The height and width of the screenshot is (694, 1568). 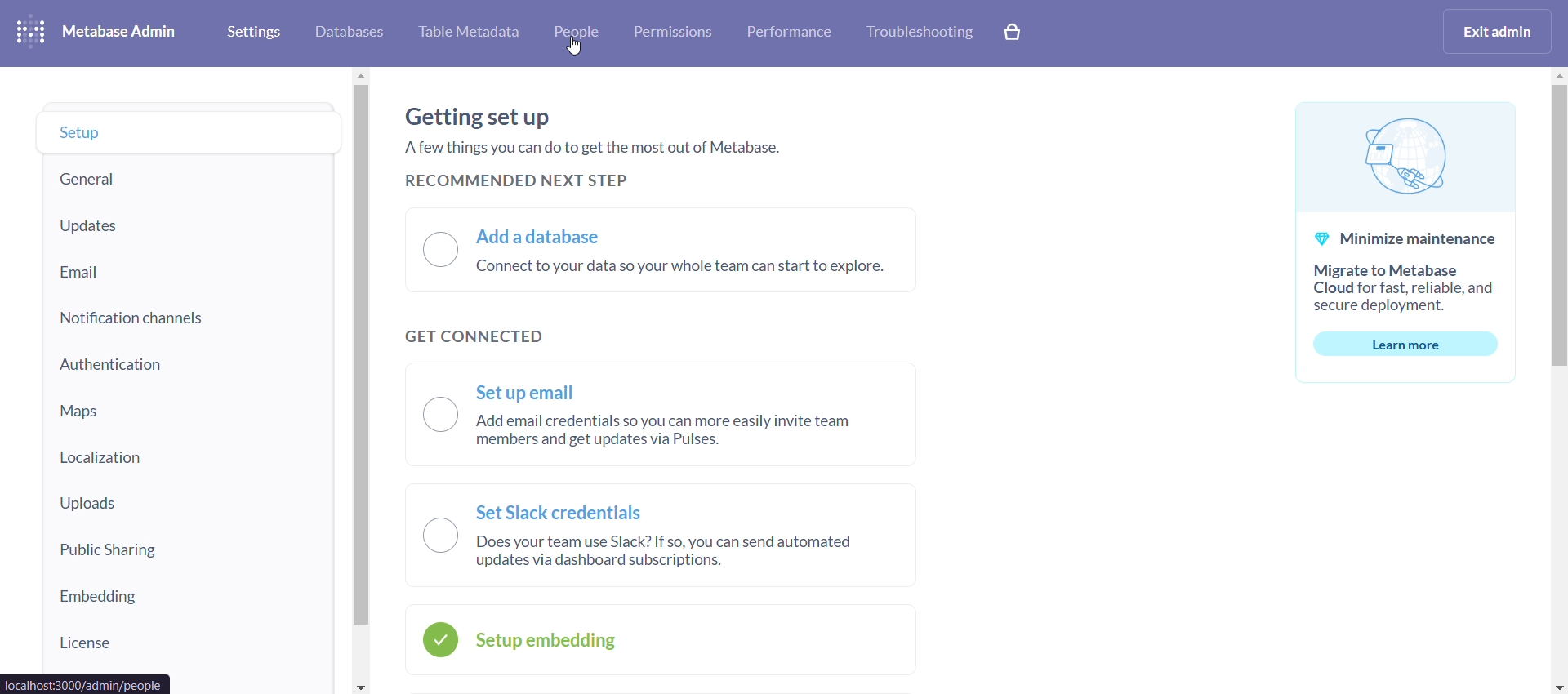 What do you see at coordinates (1014, 33) in the screenshot?
I see `explore paid features` at bounding box center [1014, 33].